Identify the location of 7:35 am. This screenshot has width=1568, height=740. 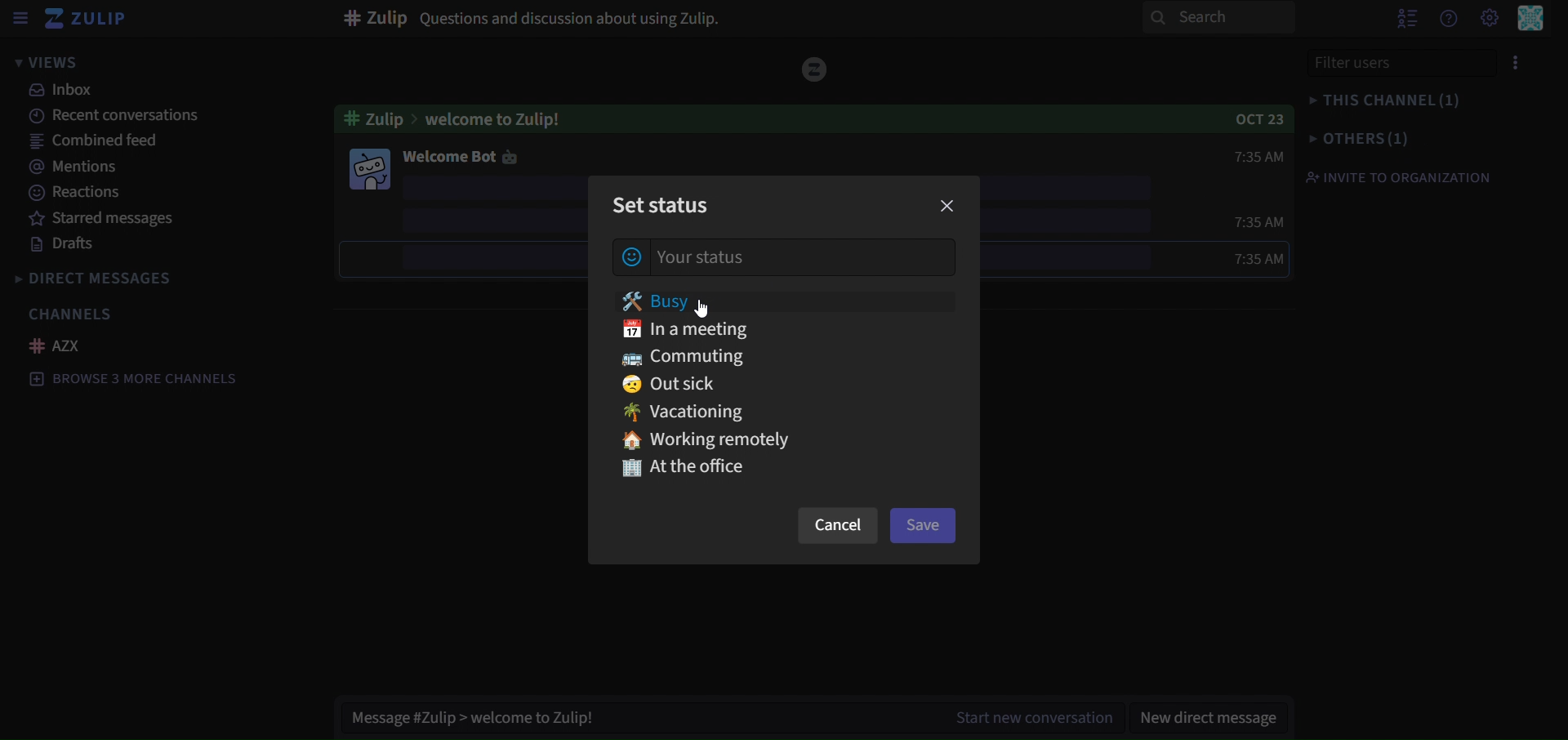
(1228, 257).